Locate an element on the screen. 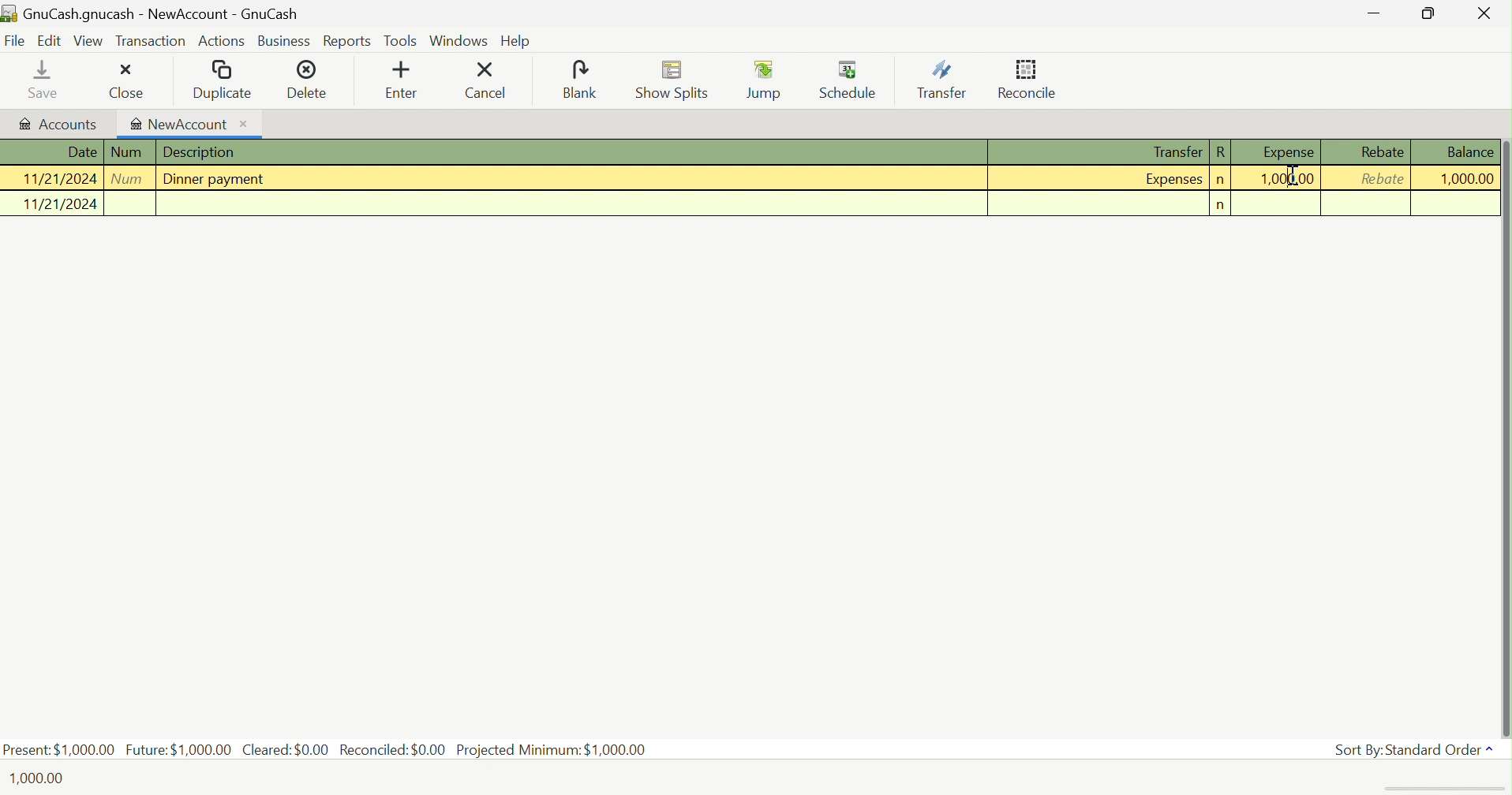 The height and width of the screenshot is (795, 1512). View is located at coordinates (88, 40).